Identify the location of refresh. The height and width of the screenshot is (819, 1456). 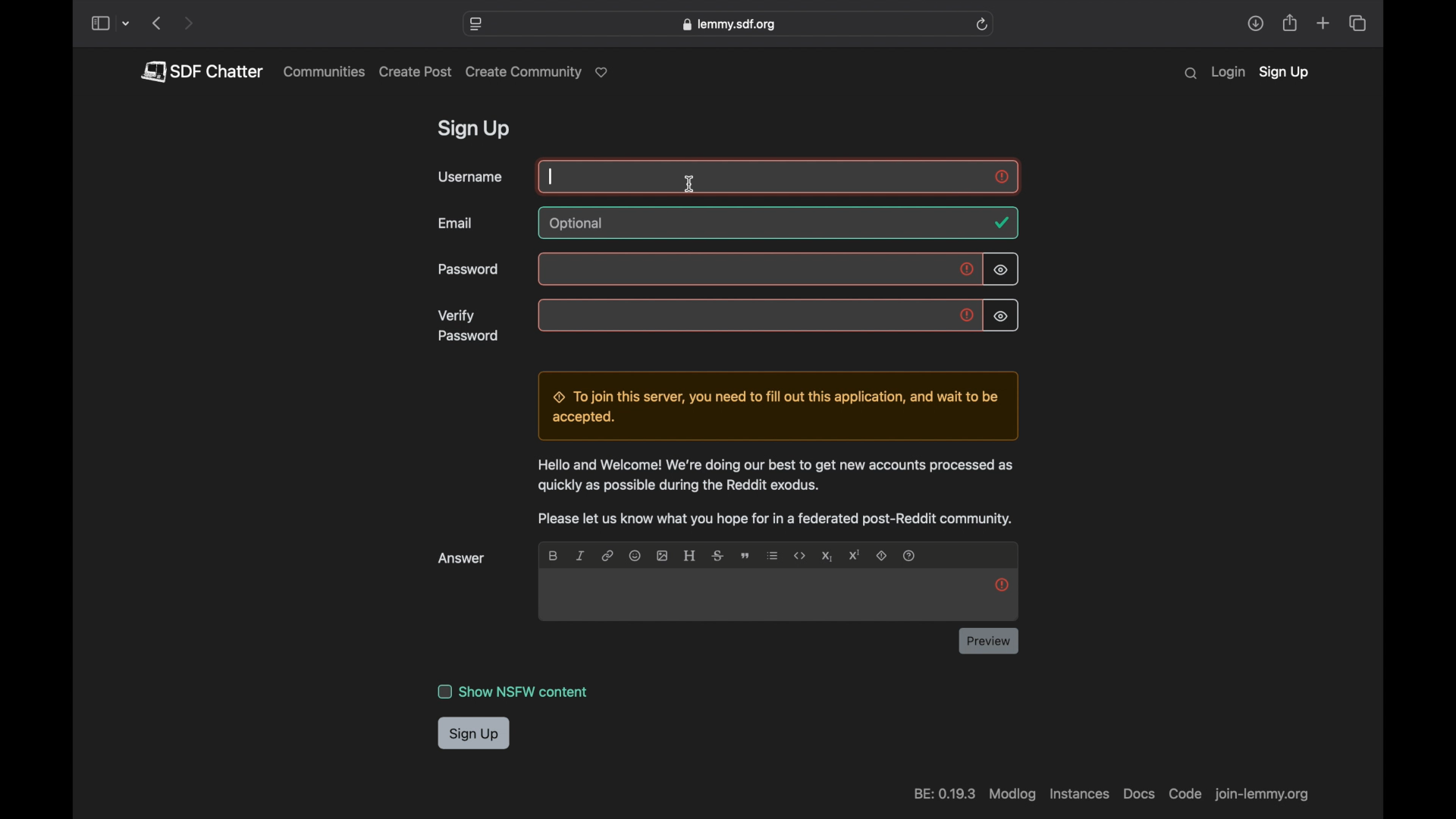
(982, 24).